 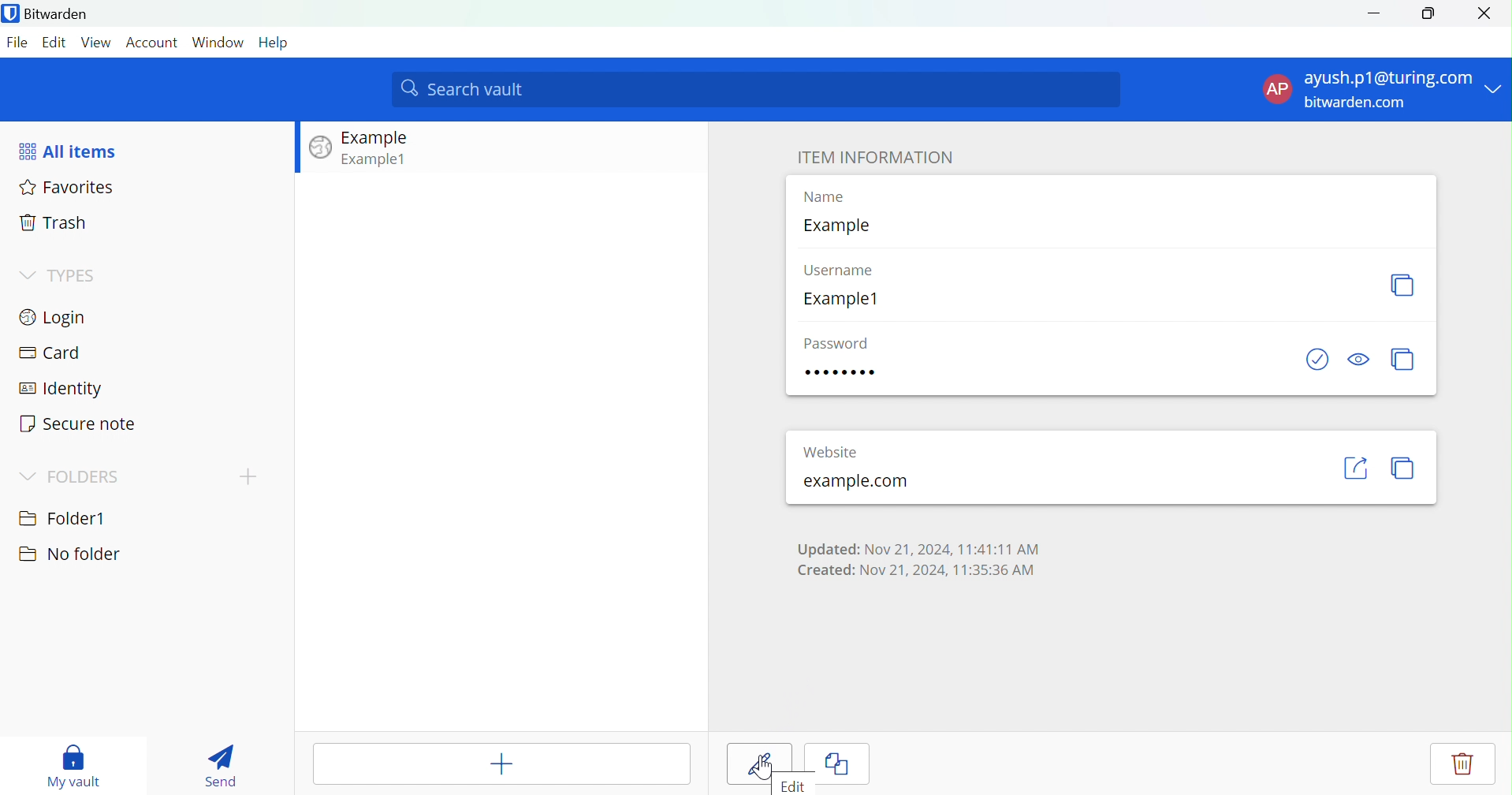 What do you see at coordinates (1463, 763) in the screenshot?
I see `Delete` at bounding box center [1463, 763].